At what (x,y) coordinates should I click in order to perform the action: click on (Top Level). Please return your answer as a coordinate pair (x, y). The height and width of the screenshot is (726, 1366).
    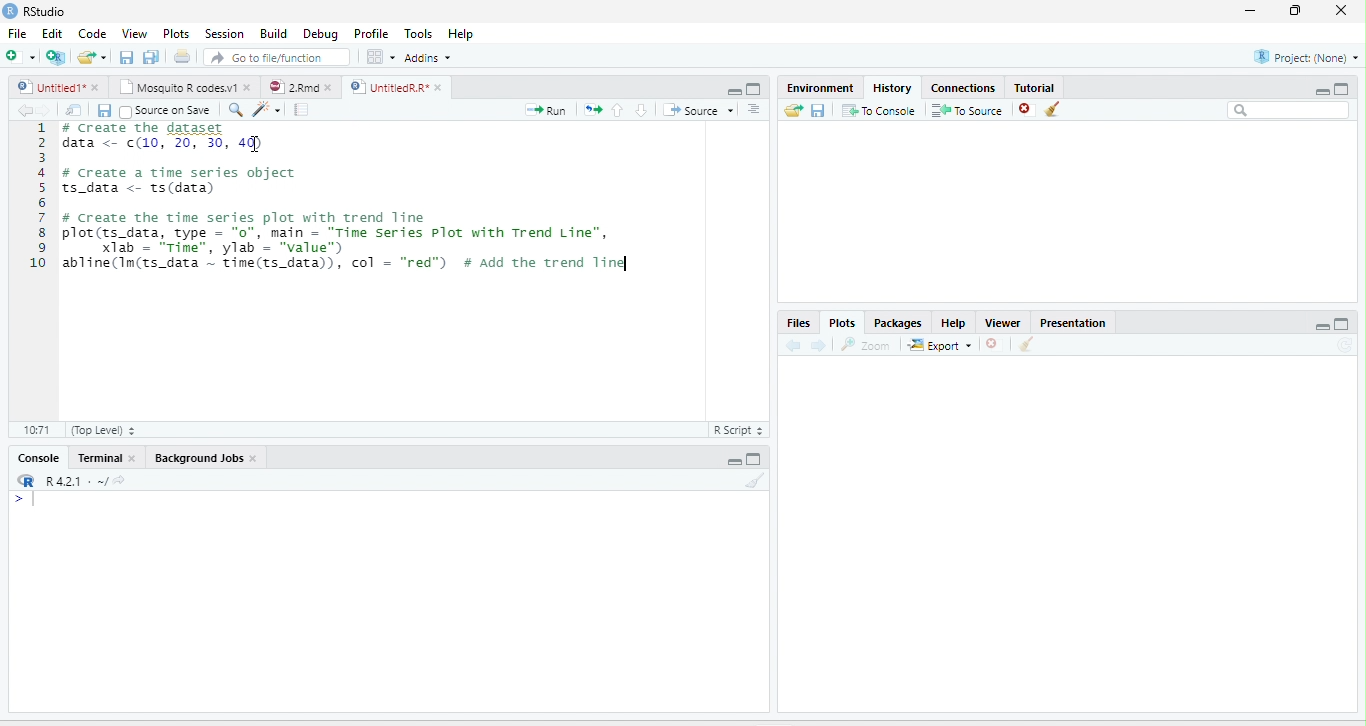
    Looking at the image, I should click on (102, 430).